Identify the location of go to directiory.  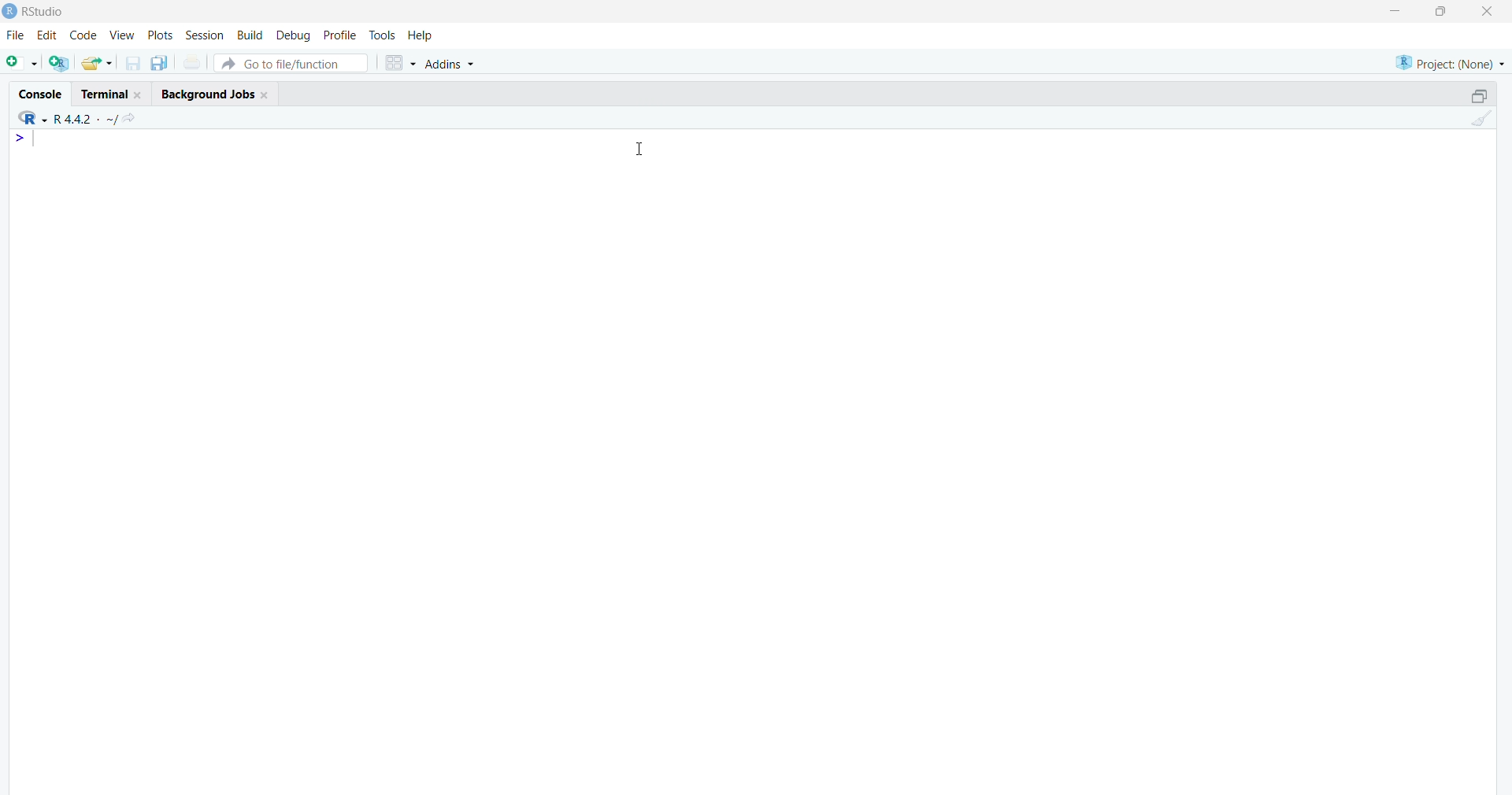
(132, 117).